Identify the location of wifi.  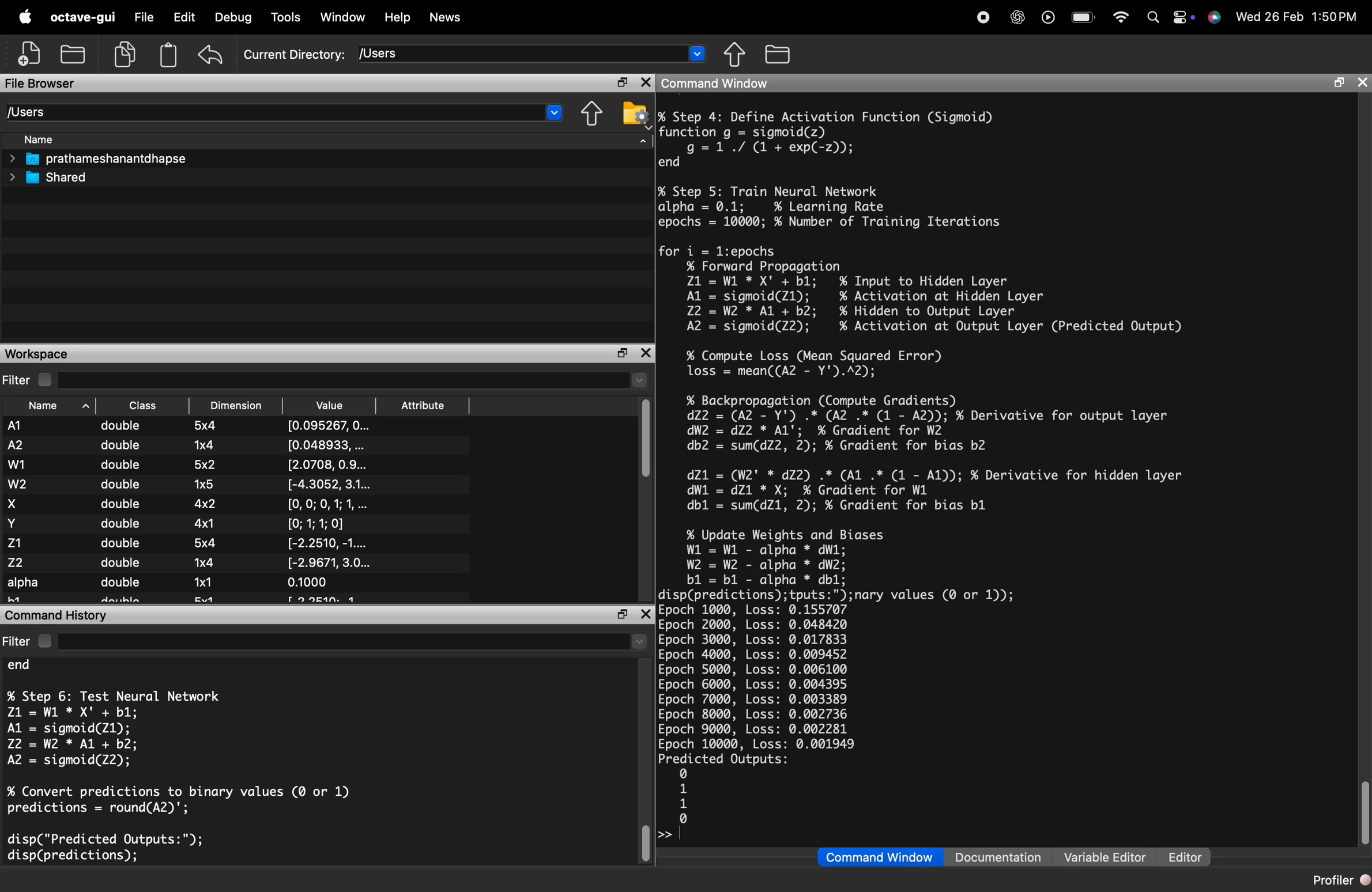
(1120, 16).